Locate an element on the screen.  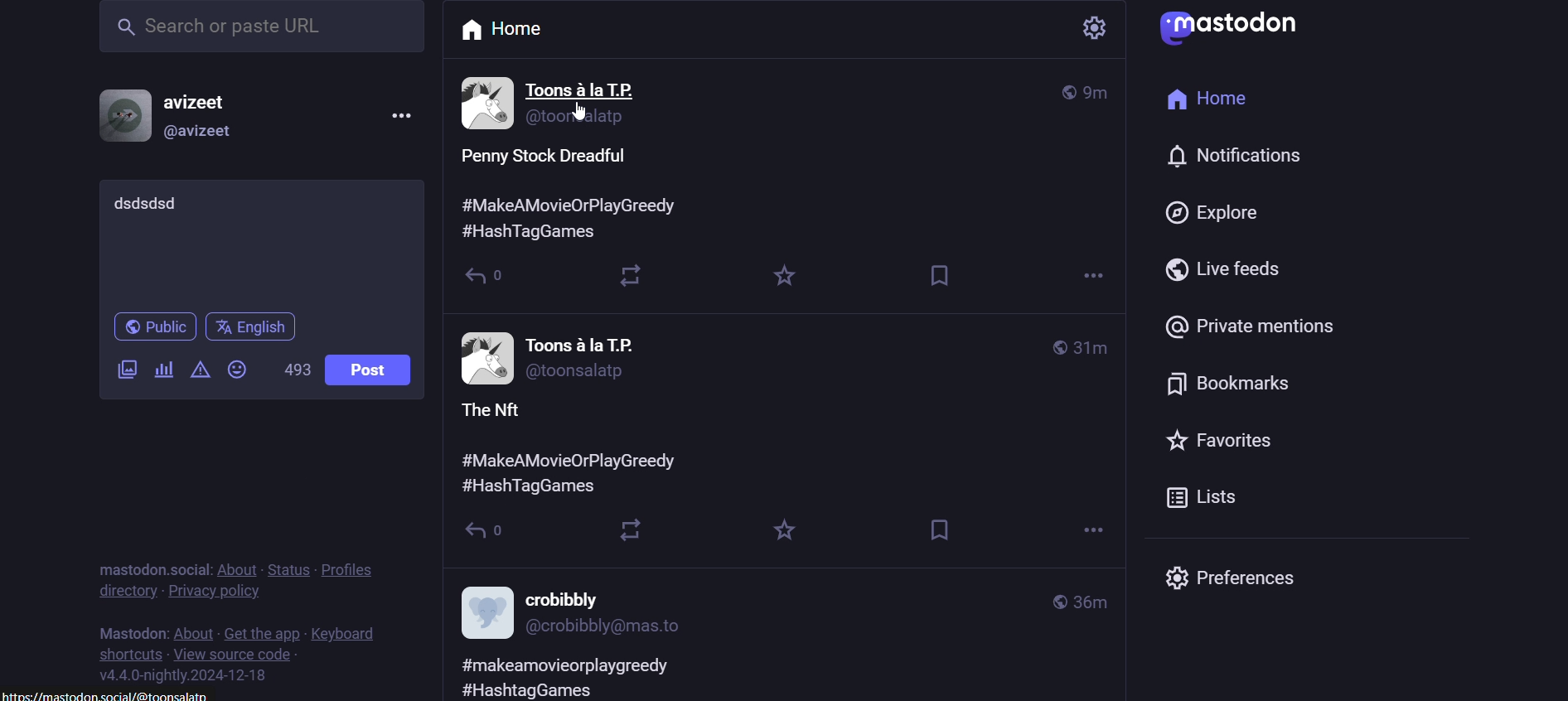
 is located at coordinates (580, 90).